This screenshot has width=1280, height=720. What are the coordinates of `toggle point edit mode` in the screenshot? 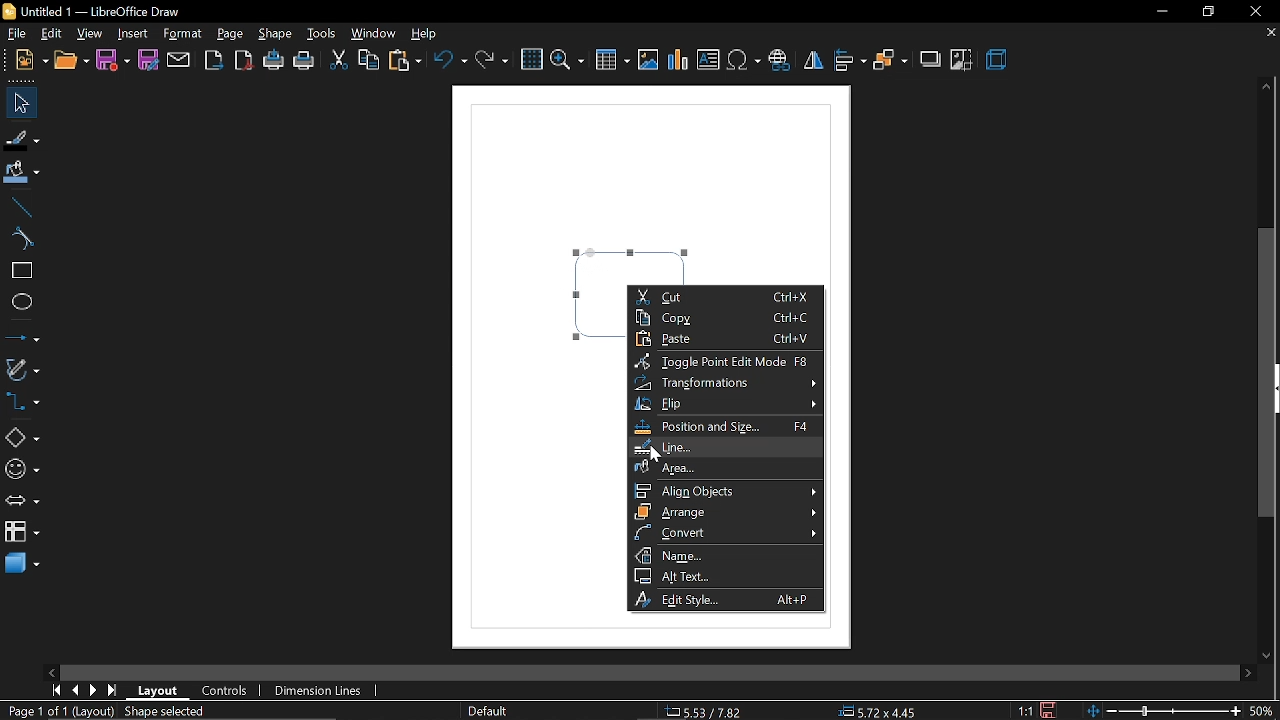 It's located at (725, 362).